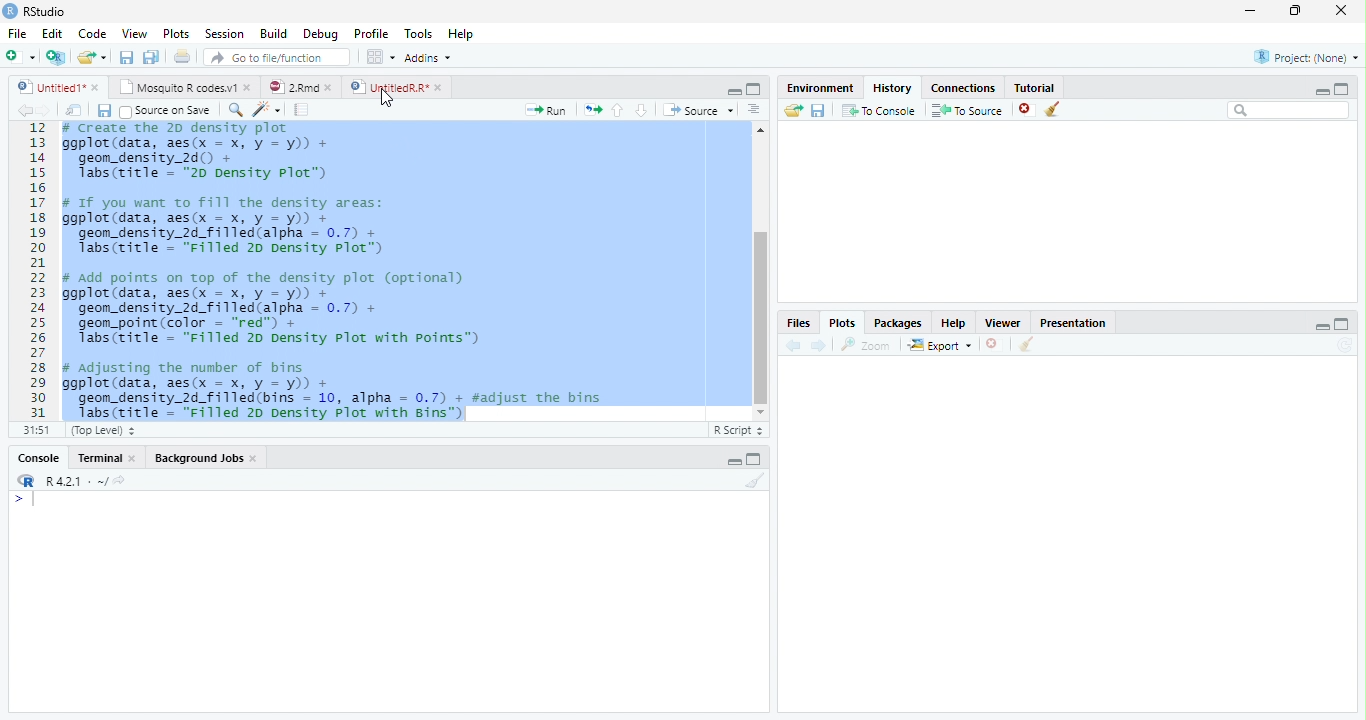 Image resolution: width=1366 pixels, height=720 pixels. Describe the element at coordinates (440, 87) in the screenshot. I see `close` at that location.